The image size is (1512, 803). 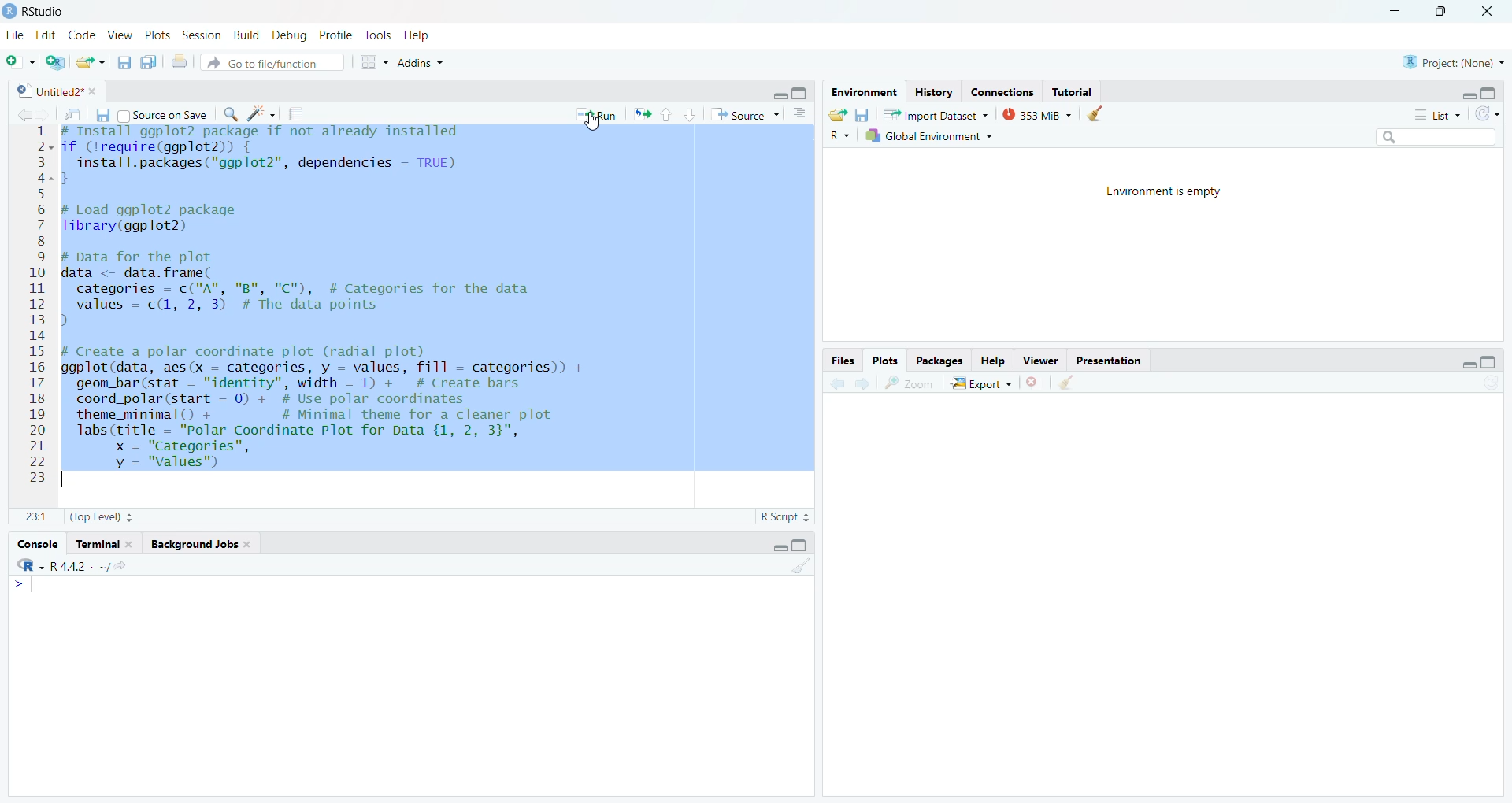 What do you see at coordinates (179, 65) in the screenshot?
I see `print the current file` at bounding box center [179, 65].